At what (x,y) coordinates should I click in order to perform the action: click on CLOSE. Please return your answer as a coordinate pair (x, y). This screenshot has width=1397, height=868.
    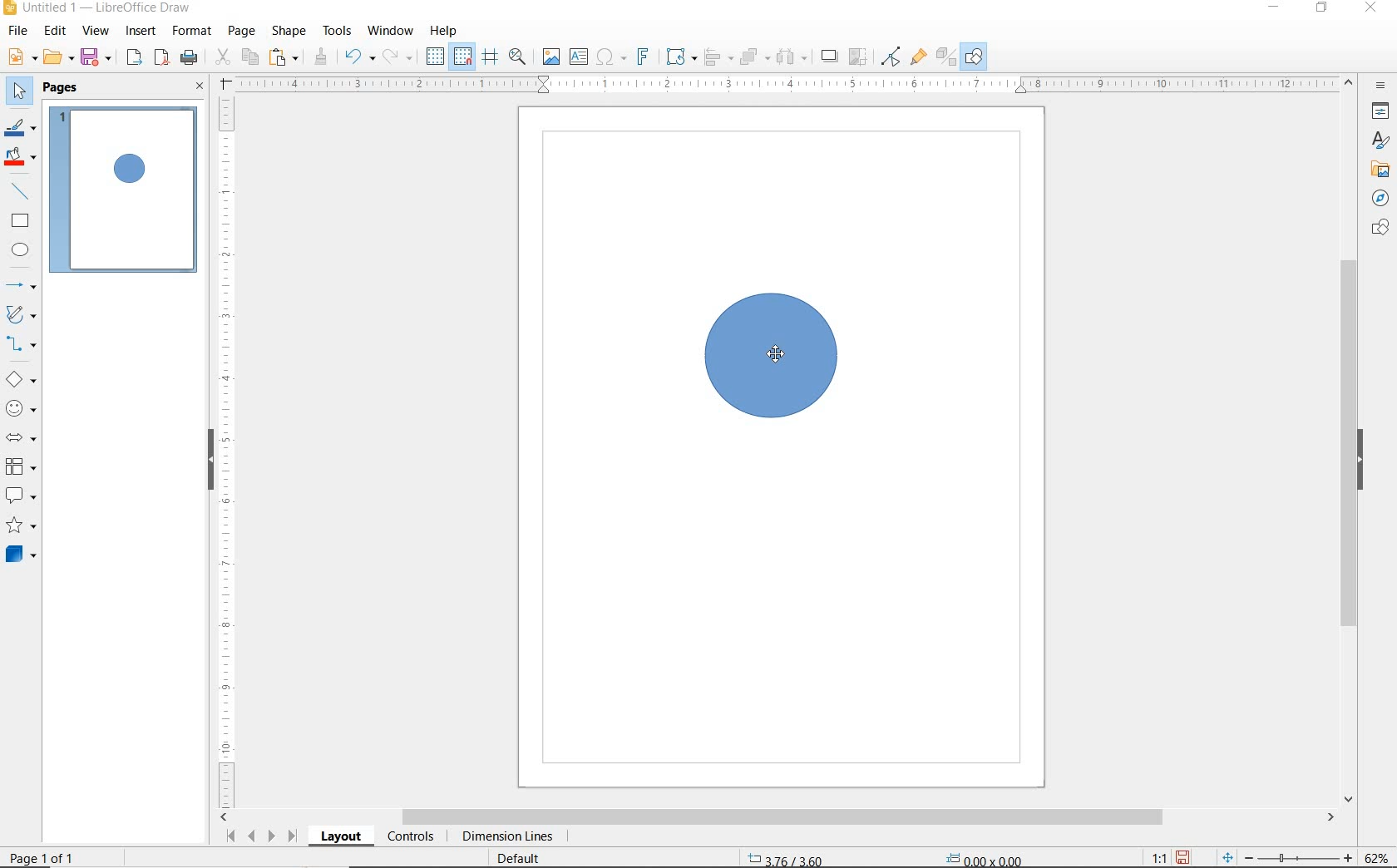
    Looking at the image, I should click on (199, 86).